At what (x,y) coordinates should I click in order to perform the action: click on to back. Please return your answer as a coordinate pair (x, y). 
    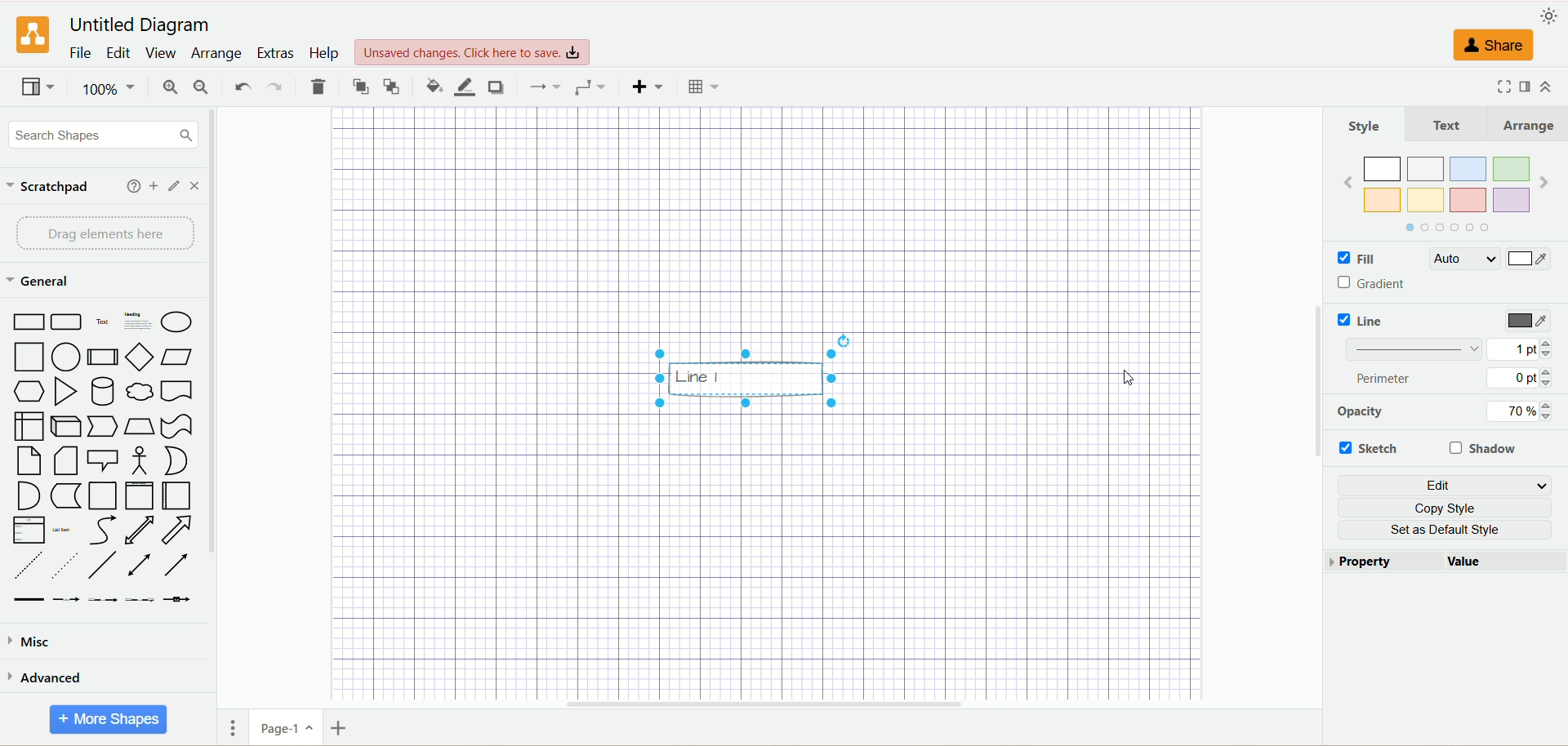
    Looking at the image, I should click on (393, 87).